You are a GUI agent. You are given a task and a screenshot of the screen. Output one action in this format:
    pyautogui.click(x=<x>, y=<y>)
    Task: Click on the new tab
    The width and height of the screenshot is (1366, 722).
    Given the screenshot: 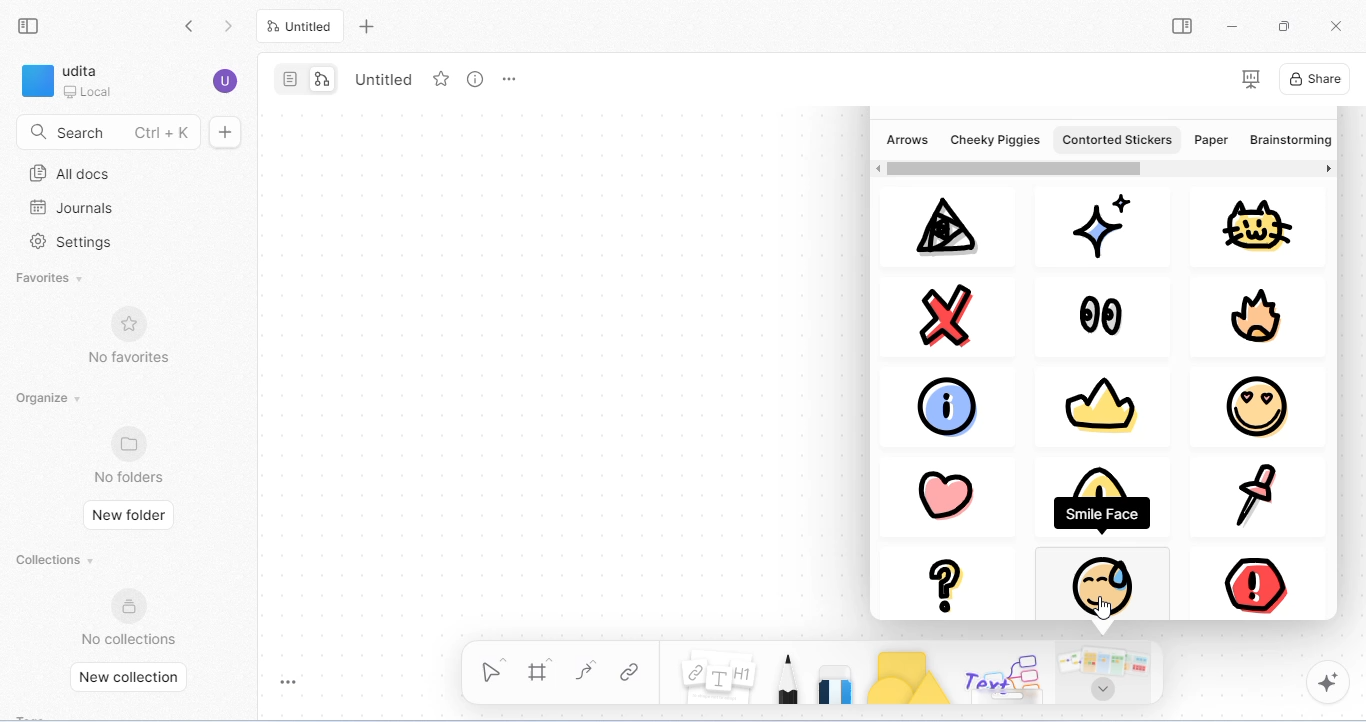 What is the action you would take?
    pyautogui.click(x=369, y=28)
    